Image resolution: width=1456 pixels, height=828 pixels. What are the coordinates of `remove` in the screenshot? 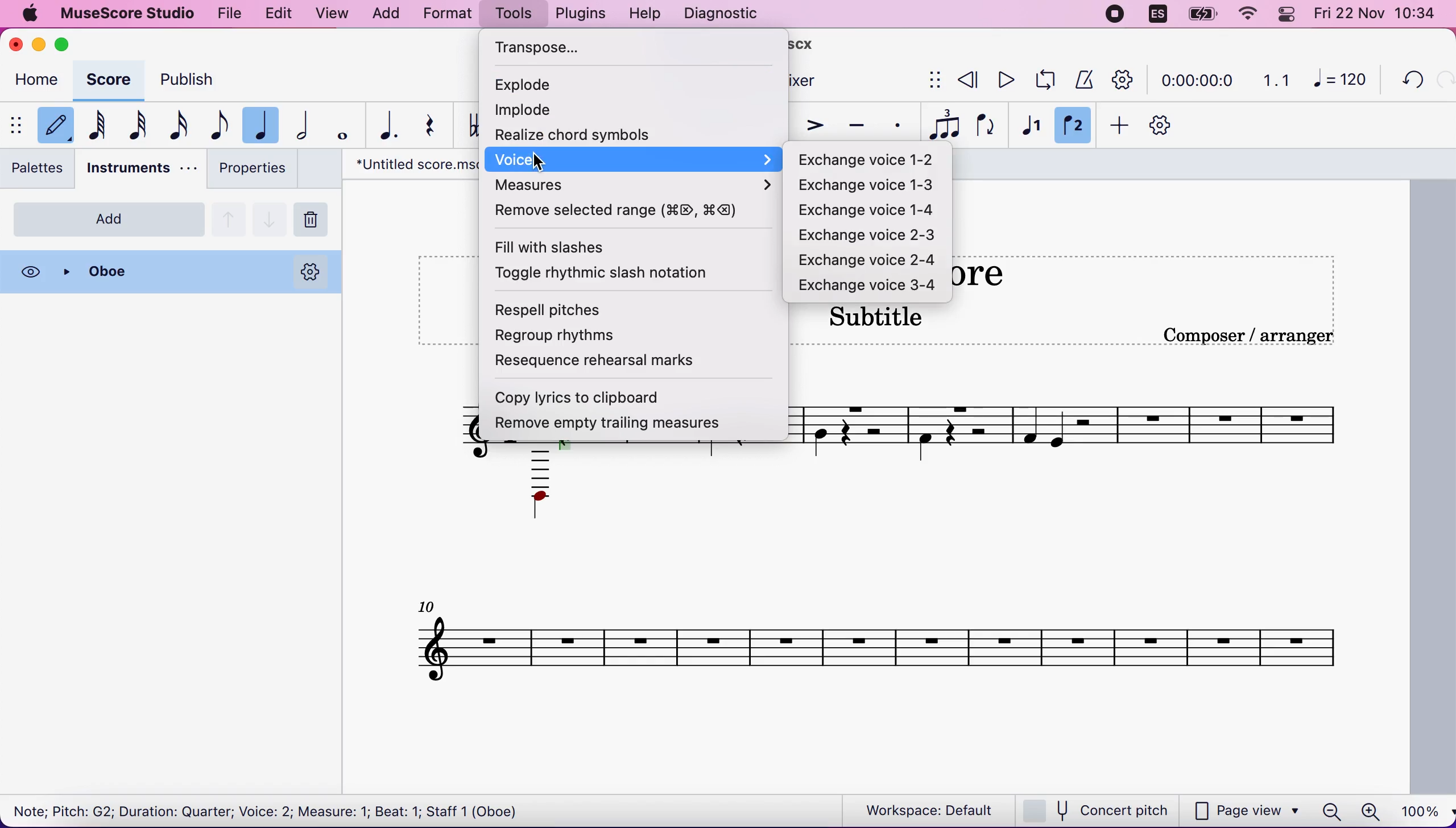 It's located at (315, 218).